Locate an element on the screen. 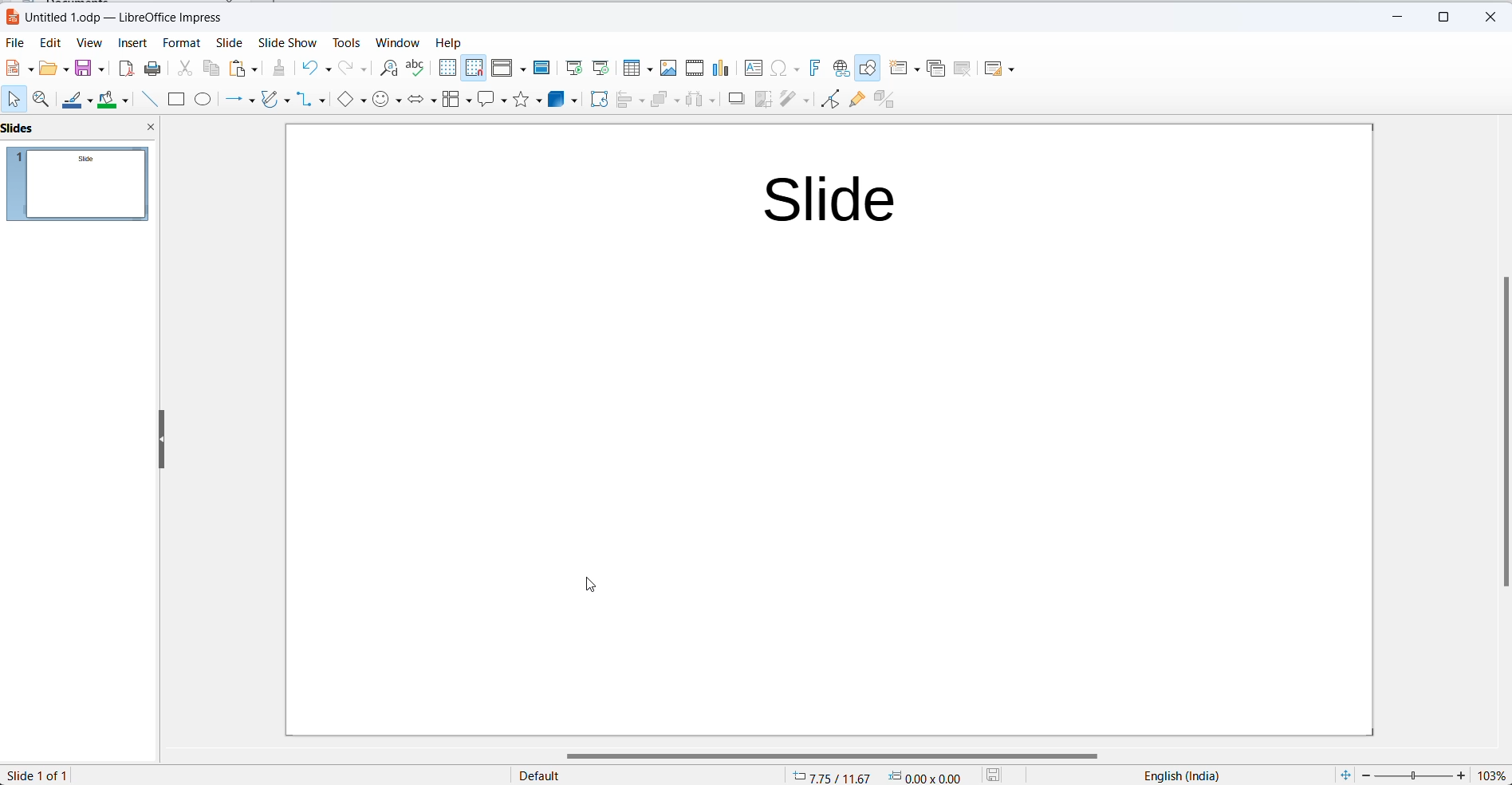  window is located at coordinates (400, 42).